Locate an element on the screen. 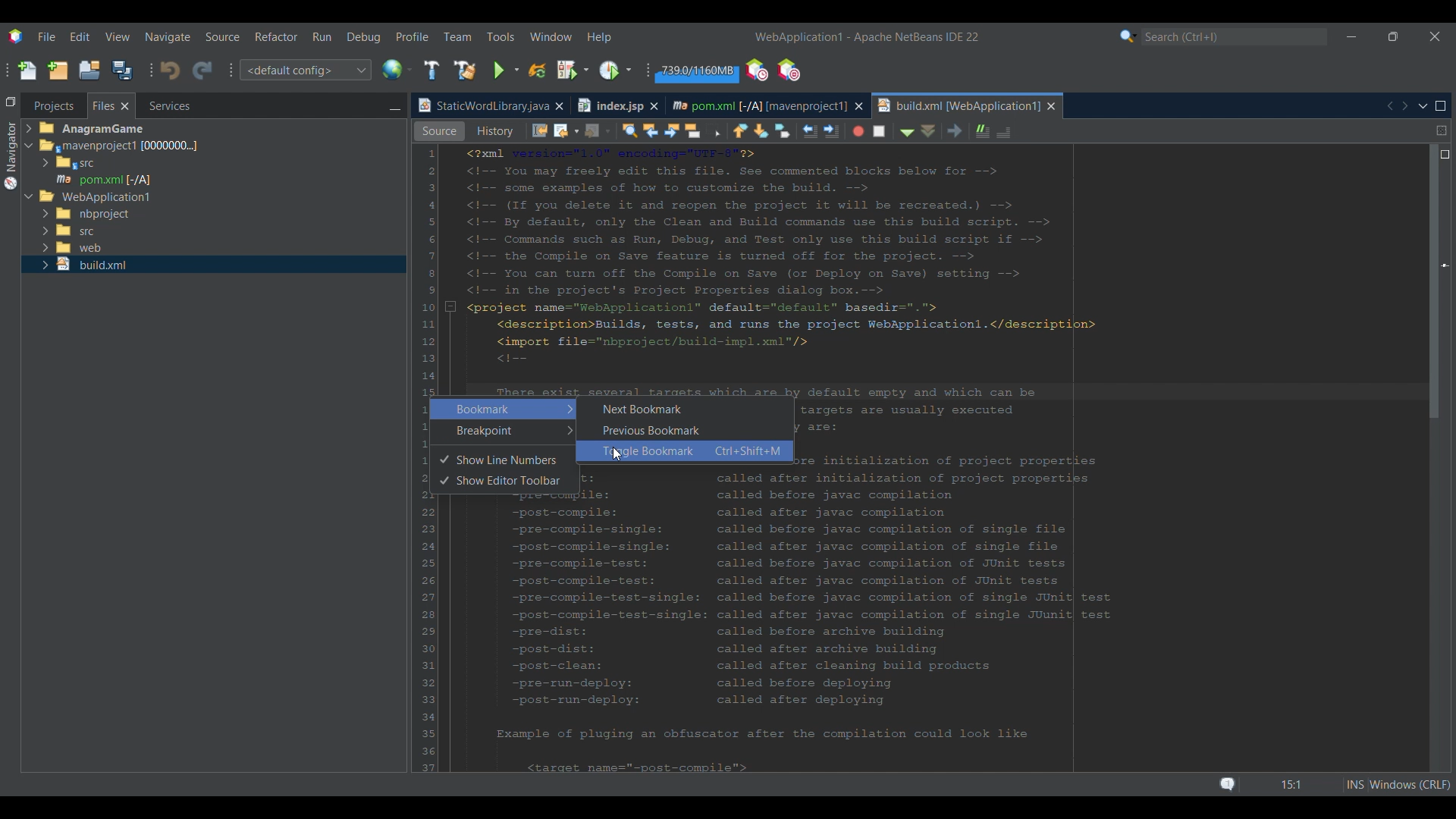 The image size is (1456, 819). Reload is located at coordinates (538, 71).